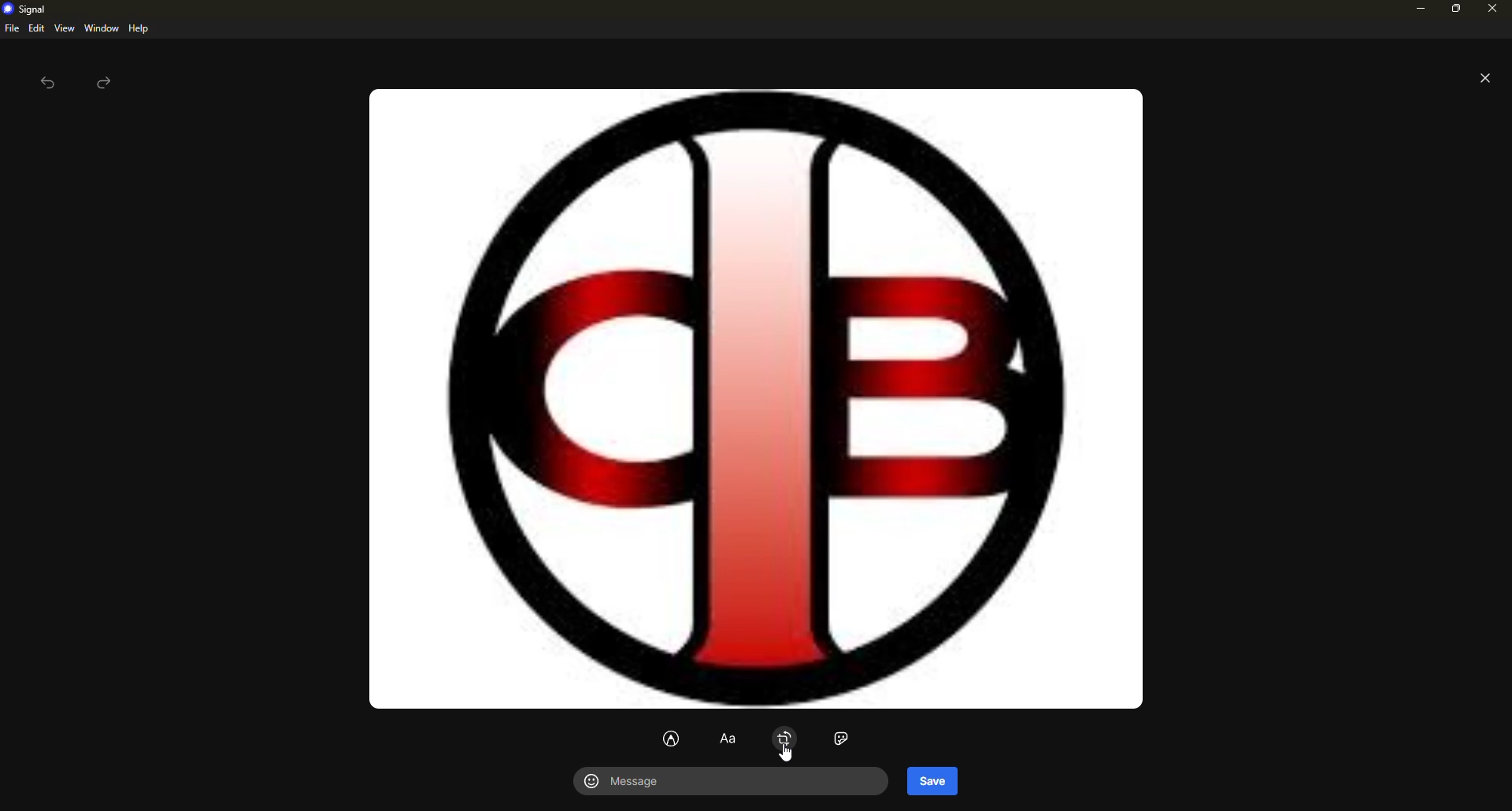 This screenshot has height=811, width=1512. I want to click on view, so click(65, 29).